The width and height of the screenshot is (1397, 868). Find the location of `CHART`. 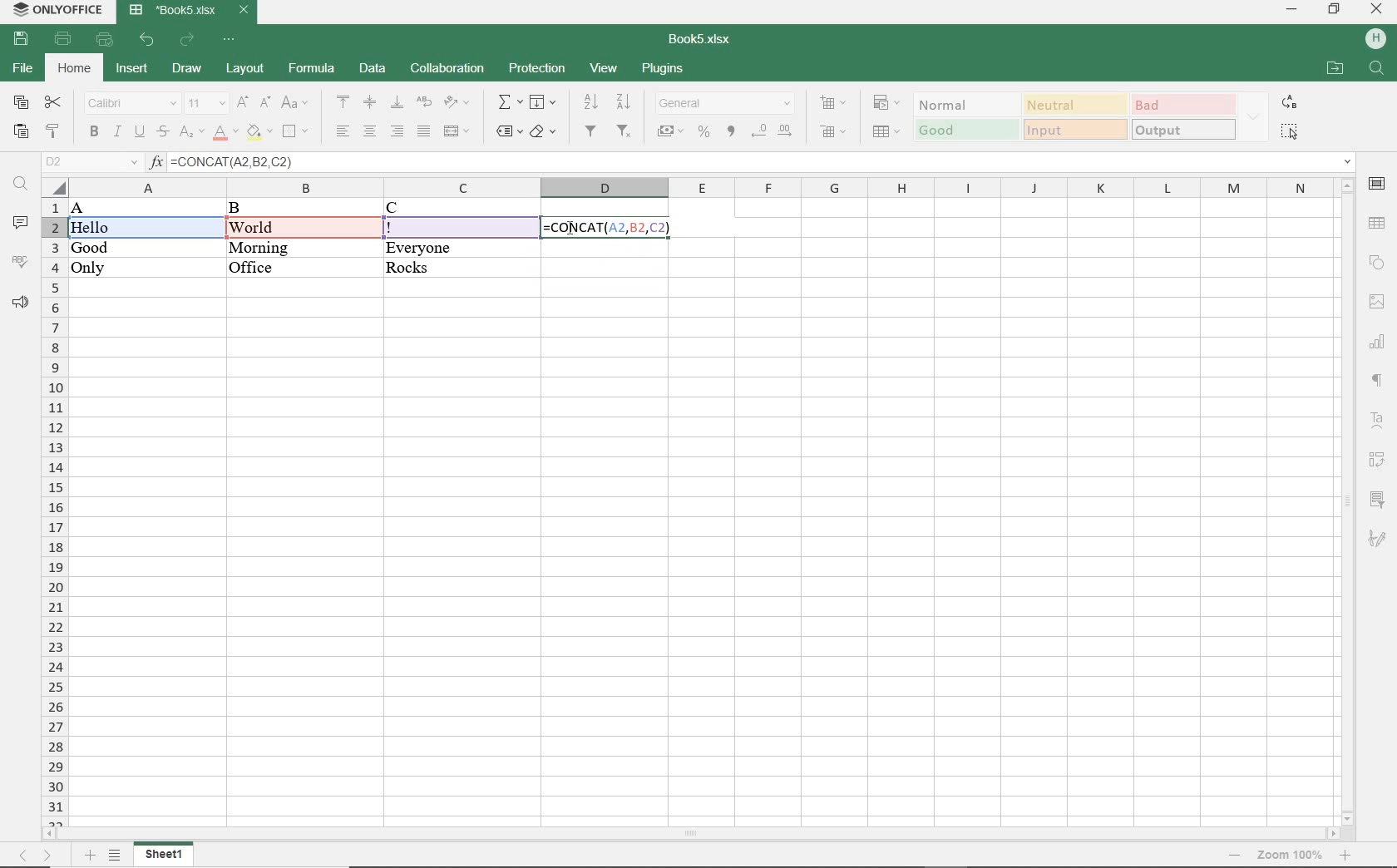

CHART is located at coordinates (1379, 341).